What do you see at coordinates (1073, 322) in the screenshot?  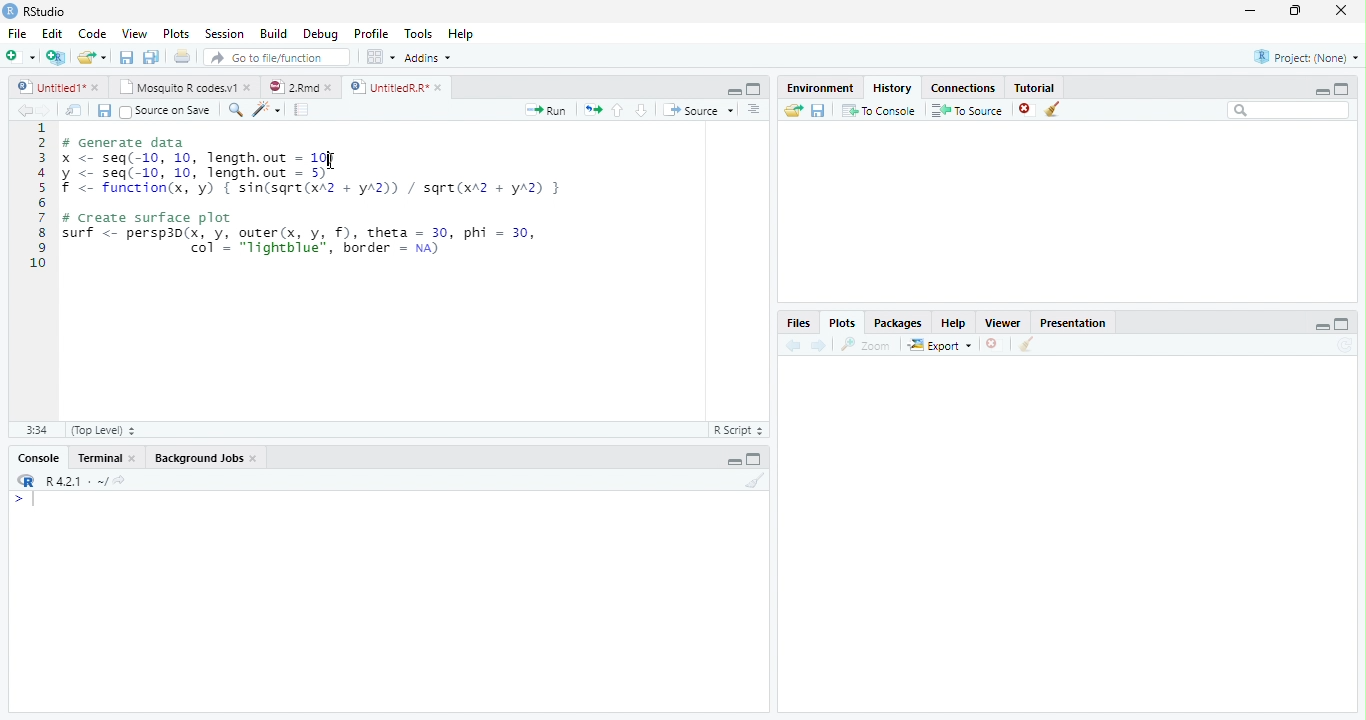 I see `Presentation` at bounding box center [1073, 322].